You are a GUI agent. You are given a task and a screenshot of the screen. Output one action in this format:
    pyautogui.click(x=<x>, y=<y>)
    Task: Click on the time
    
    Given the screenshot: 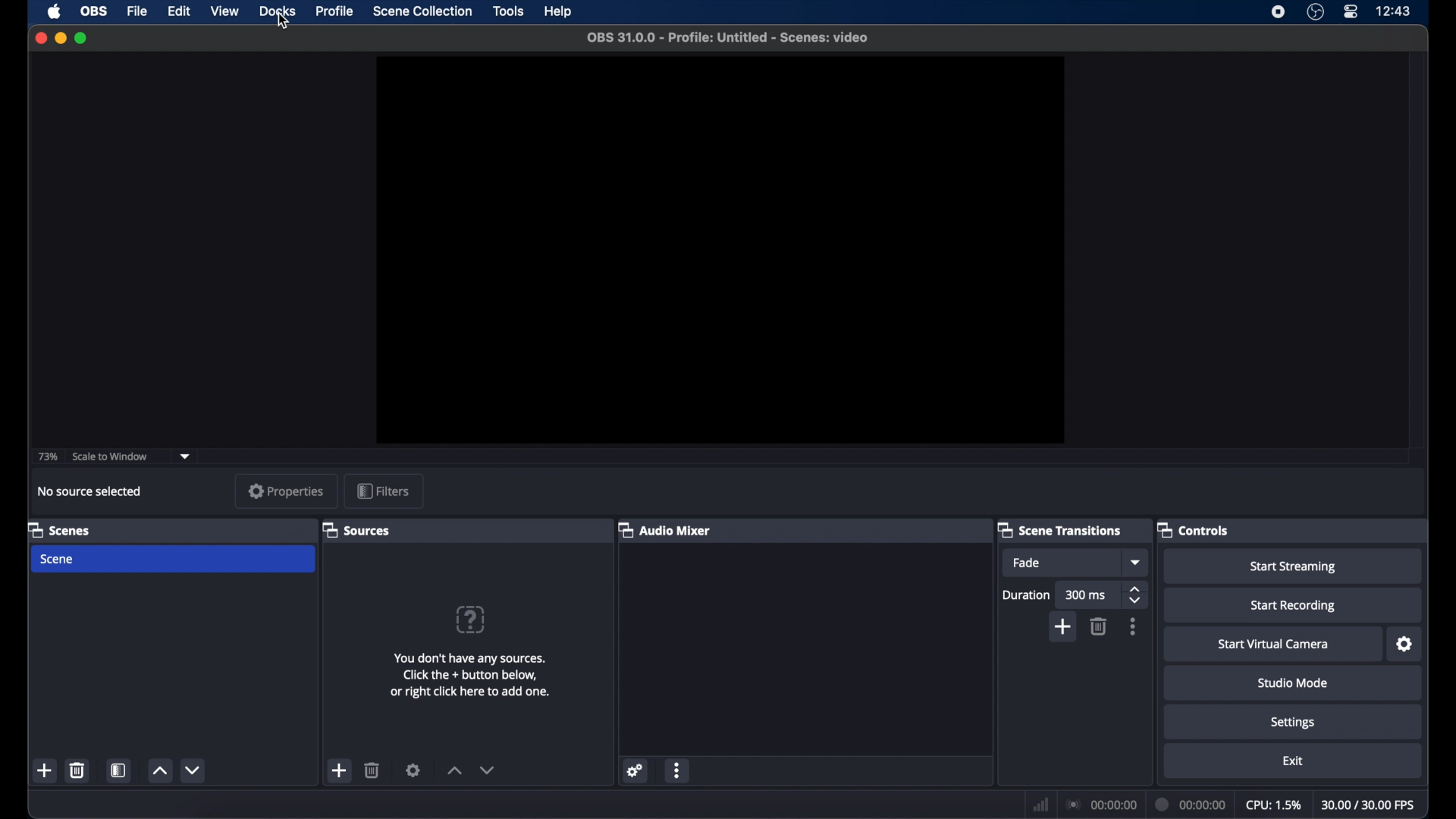 What is the action you would take?
    pyautogui.click(x=1394, y=11)
    